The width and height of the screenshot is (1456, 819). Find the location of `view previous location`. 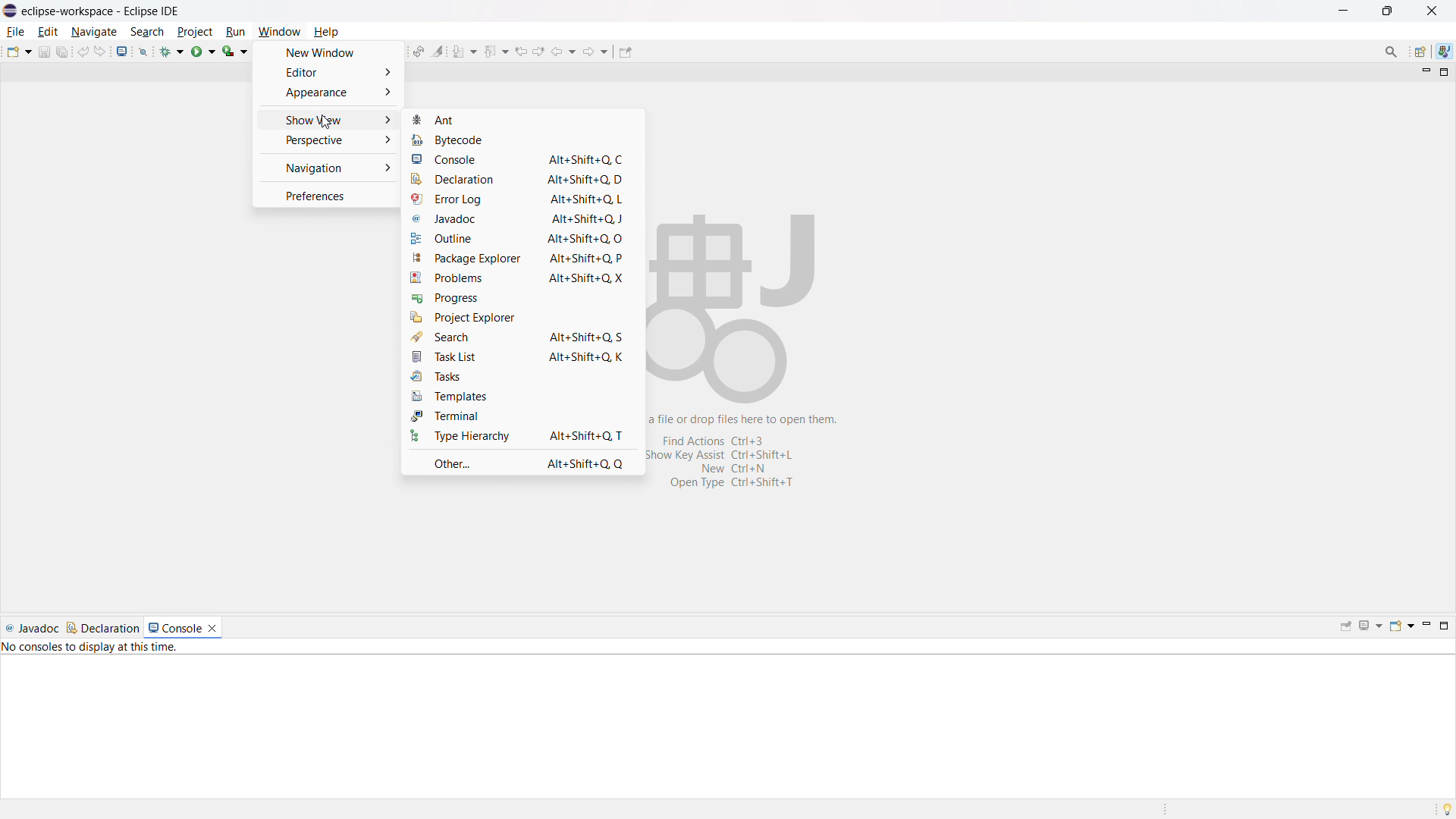

view previous location is located at coordinates (520, 51).